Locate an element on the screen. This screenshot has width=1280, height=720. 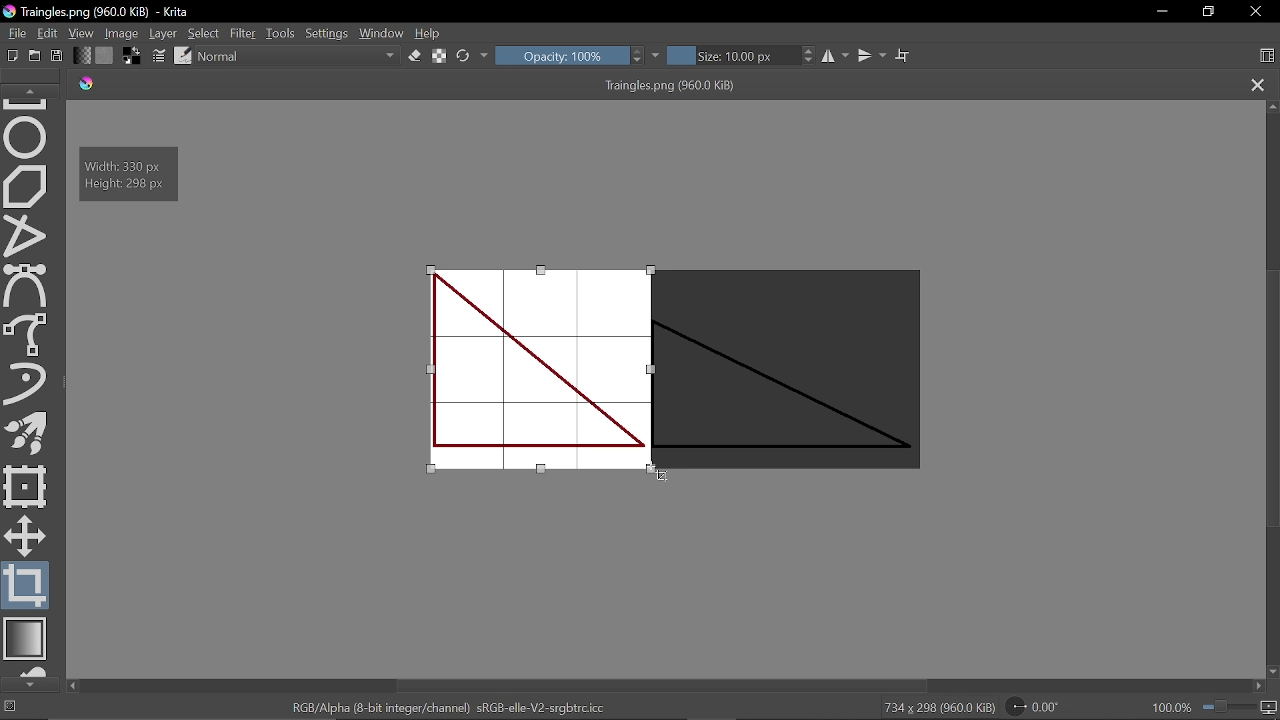
Filter is located at coordinates (242, 33).